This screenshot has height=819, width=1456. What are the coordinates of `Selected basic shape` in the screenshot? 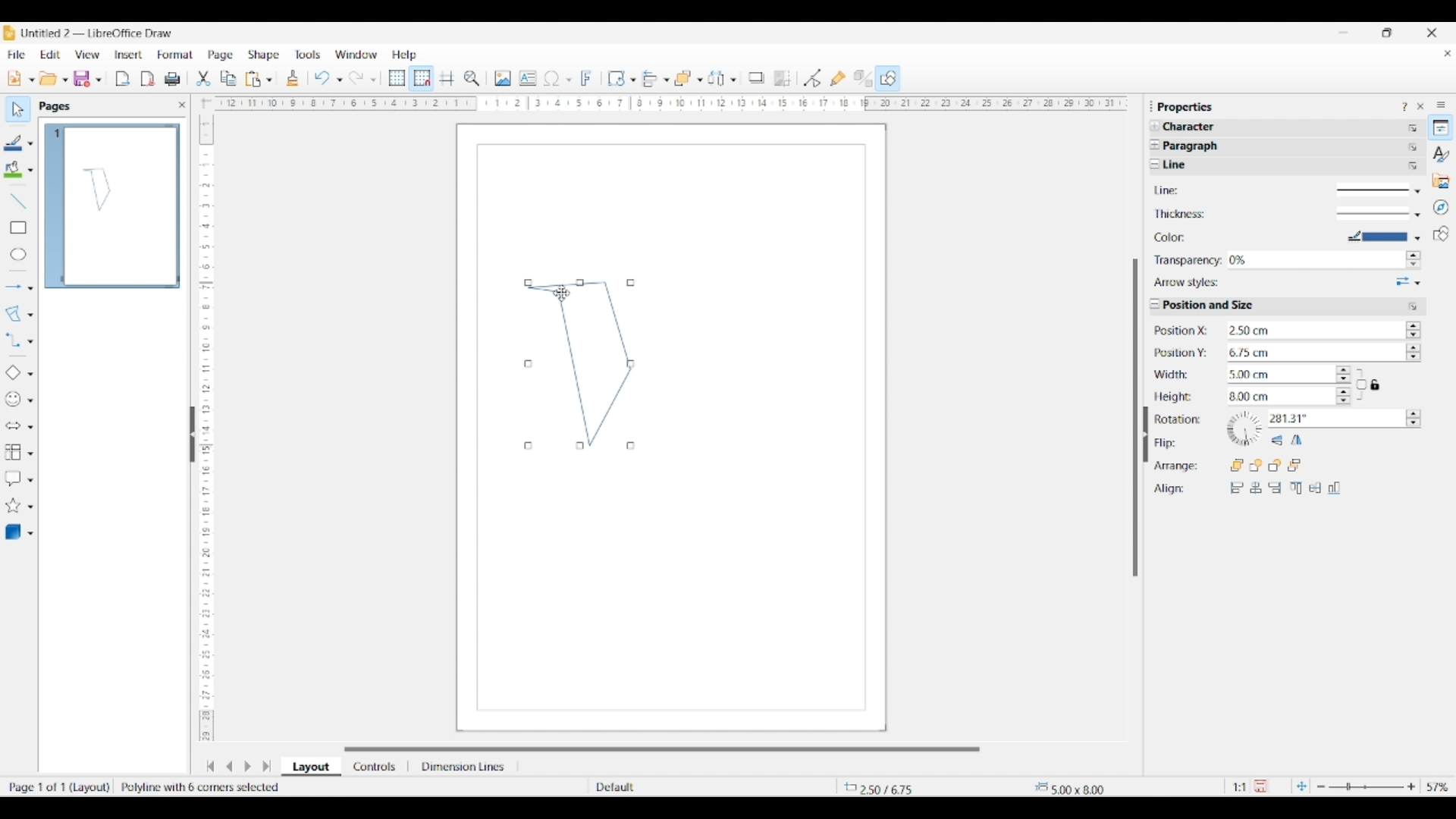 It's located at (12, 373).